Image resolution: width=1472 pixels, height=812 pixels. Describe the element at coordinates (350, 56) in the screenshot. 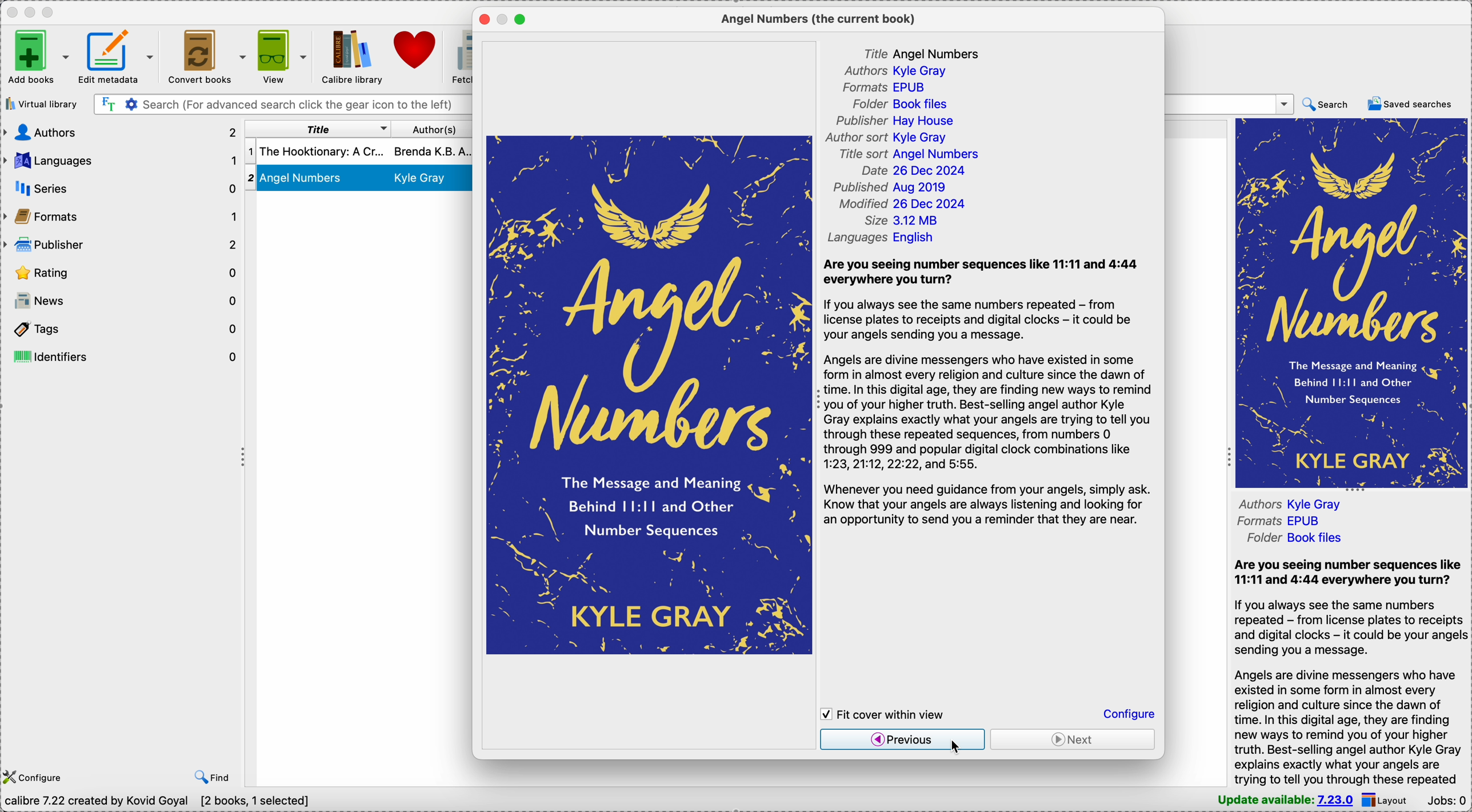

I see `Calibre library` at that location.